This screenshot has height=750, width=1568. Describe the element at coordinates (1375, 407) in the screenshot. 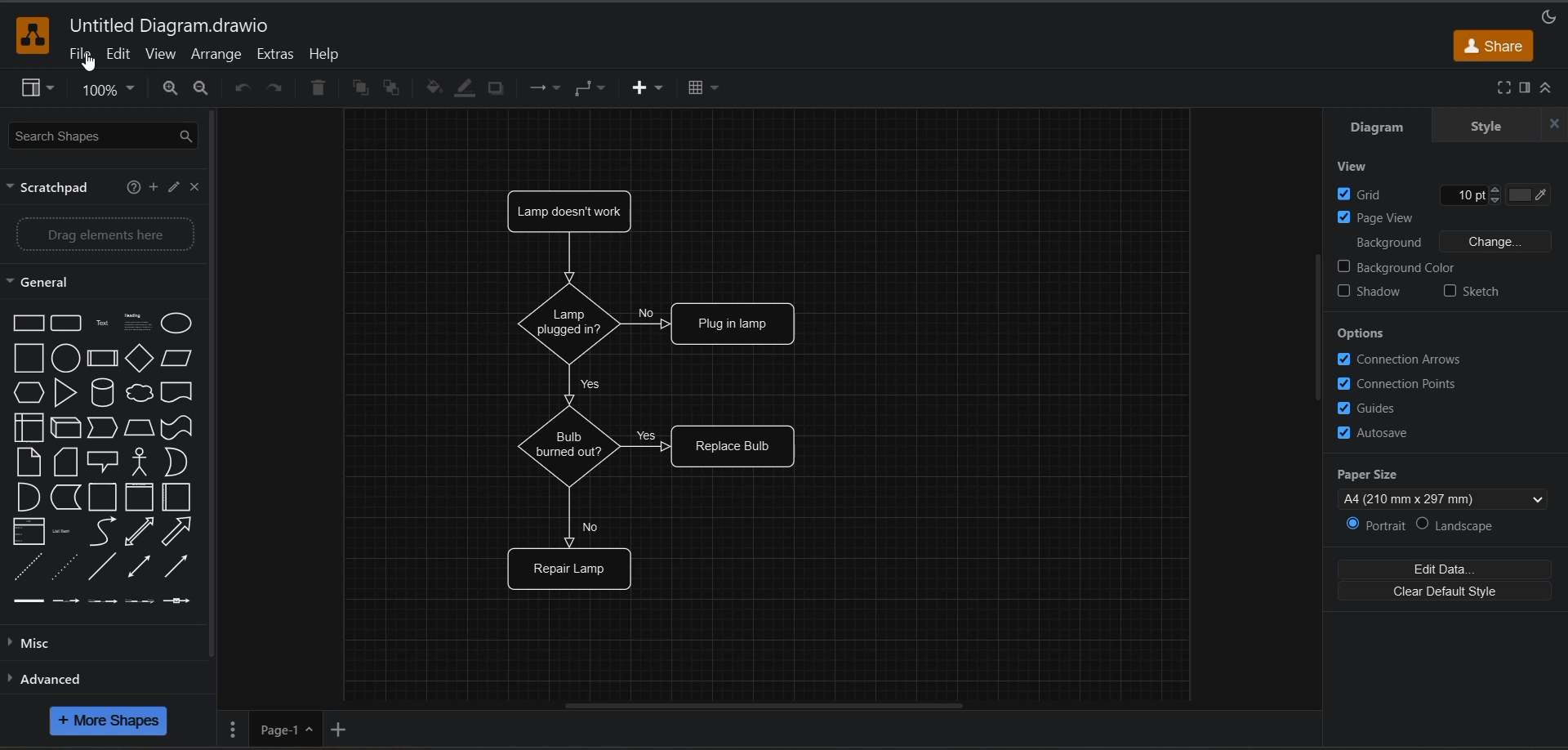

I see `guides` at that location.